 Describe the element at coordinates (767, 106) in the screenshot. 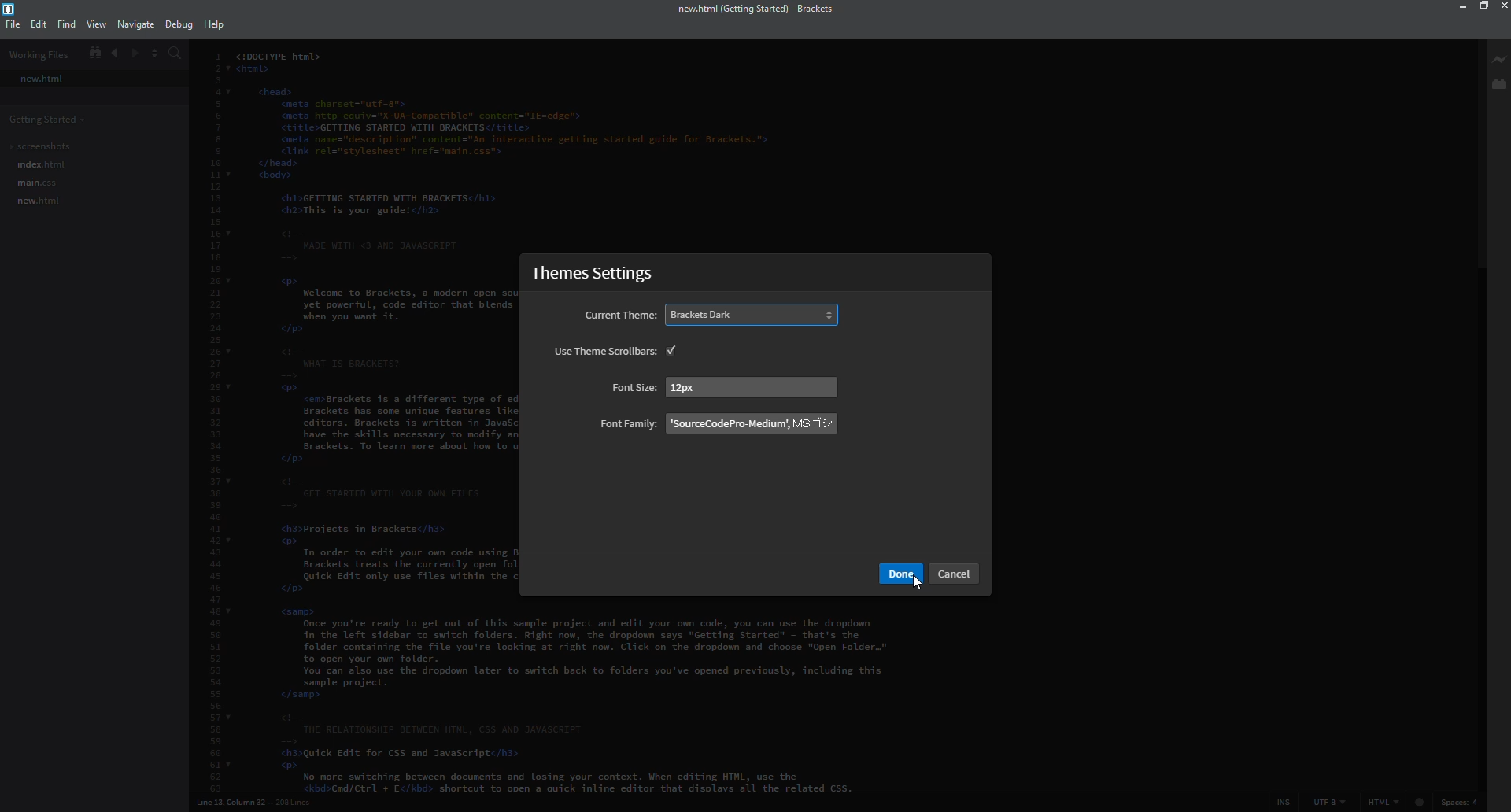

I see `dark mode` at that location.